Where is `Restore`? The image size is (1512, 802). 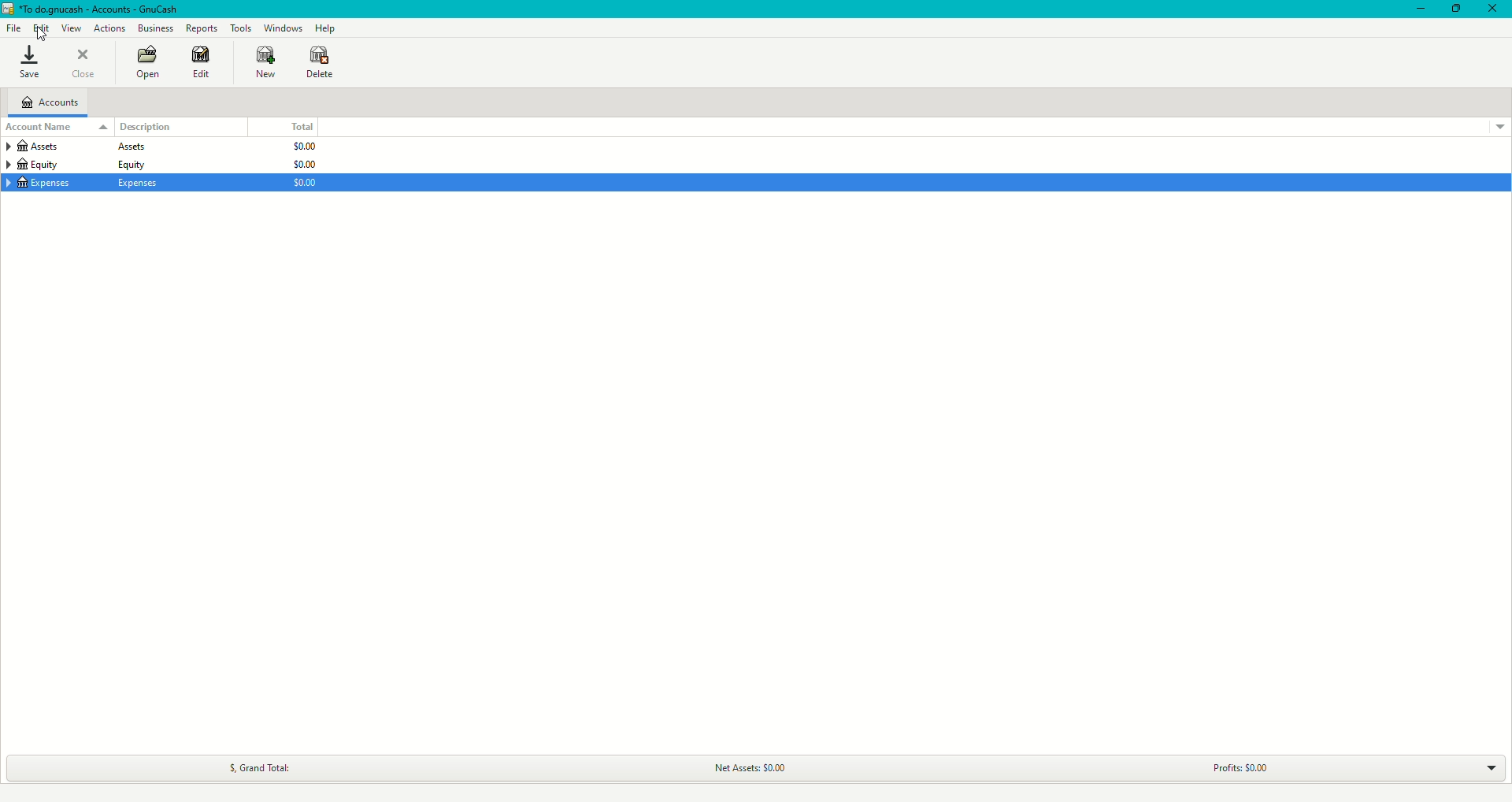
Restore is located at coordinates (1455, 9).